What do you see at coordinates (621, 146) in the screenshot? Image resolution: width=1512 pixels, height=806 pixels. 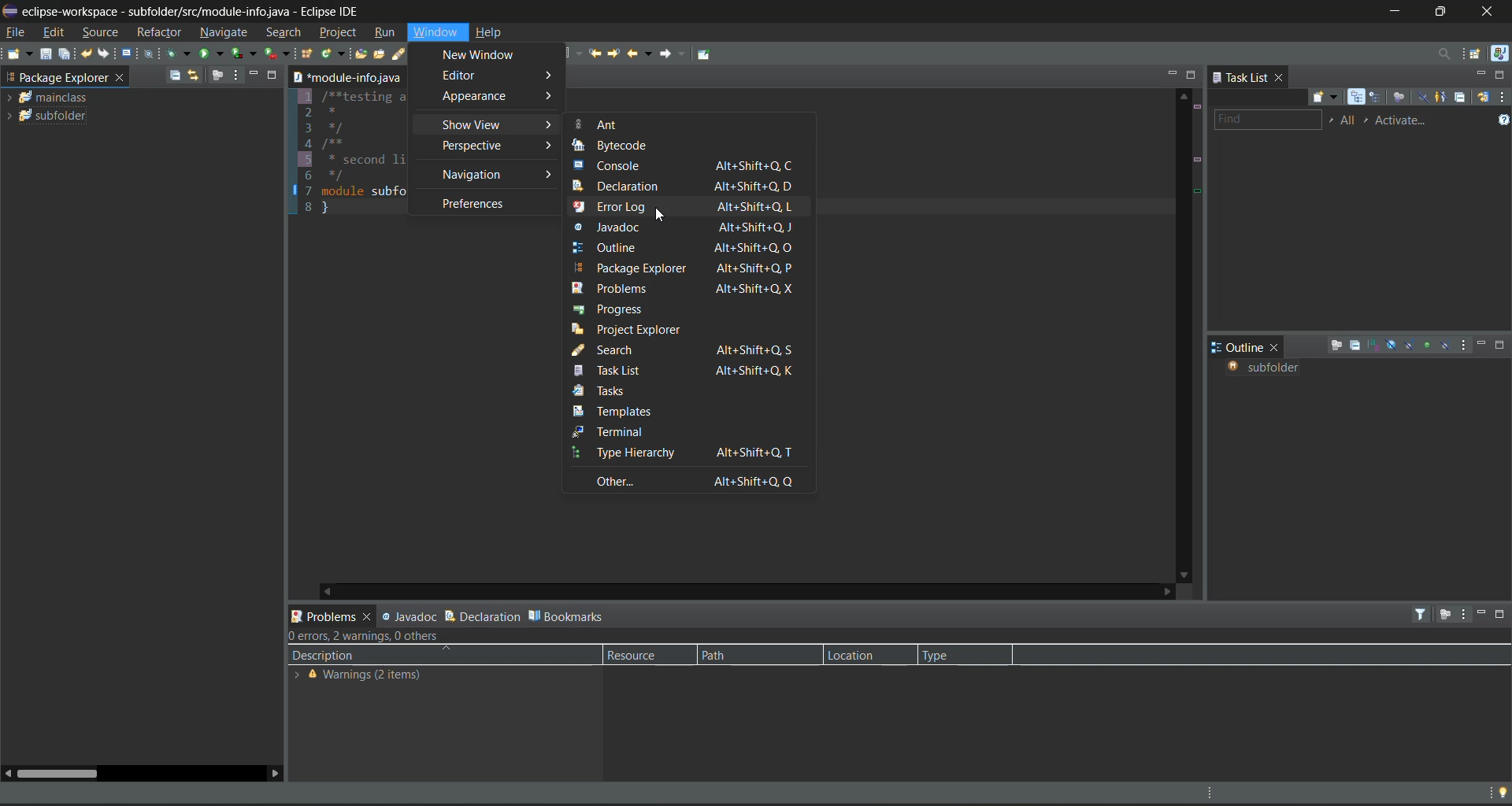 I see `bytecode` at bounding box center [621, 146].